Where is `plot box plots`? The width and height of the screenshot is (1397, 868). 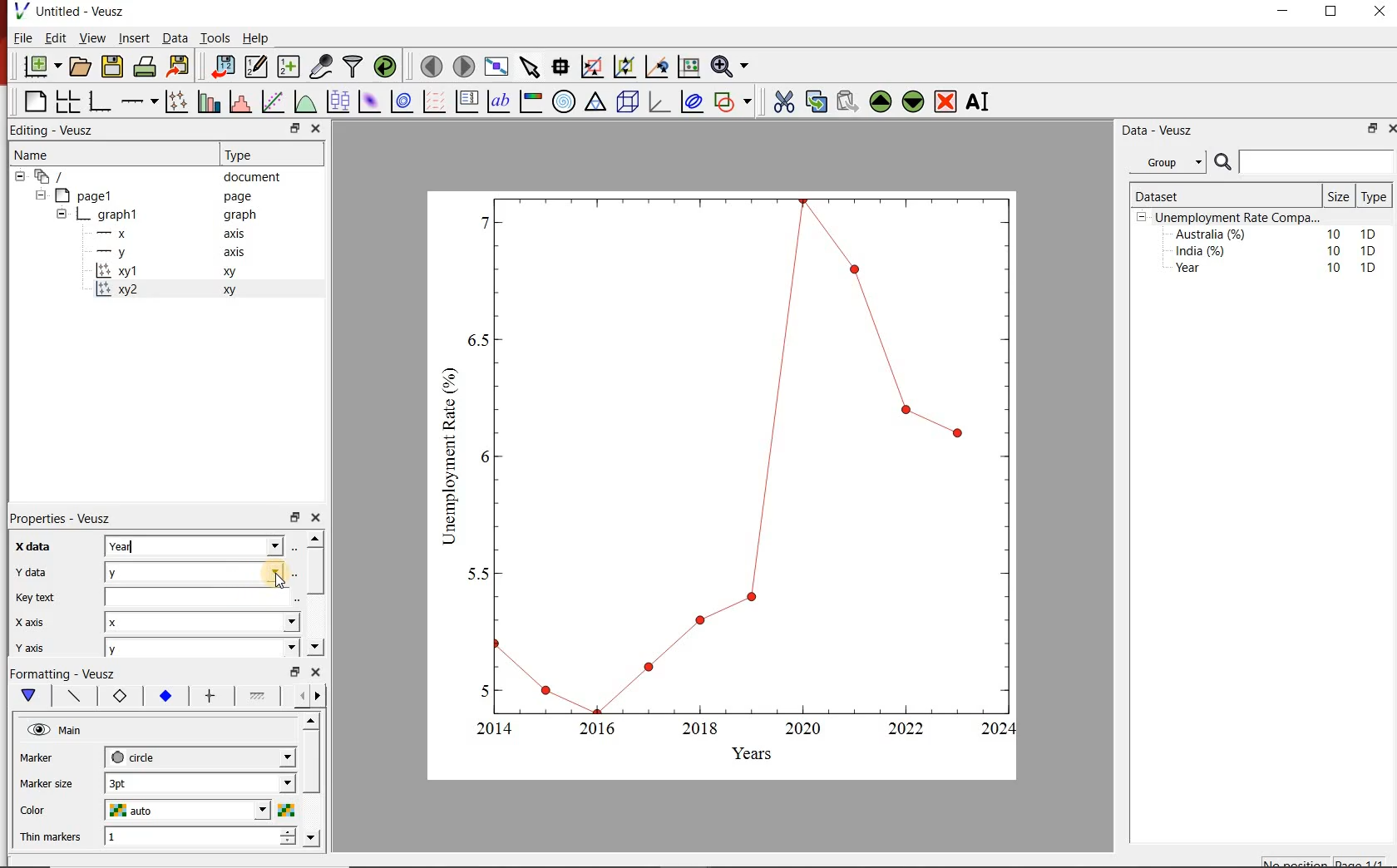 plot box plots is located at coordinates (338, 101).